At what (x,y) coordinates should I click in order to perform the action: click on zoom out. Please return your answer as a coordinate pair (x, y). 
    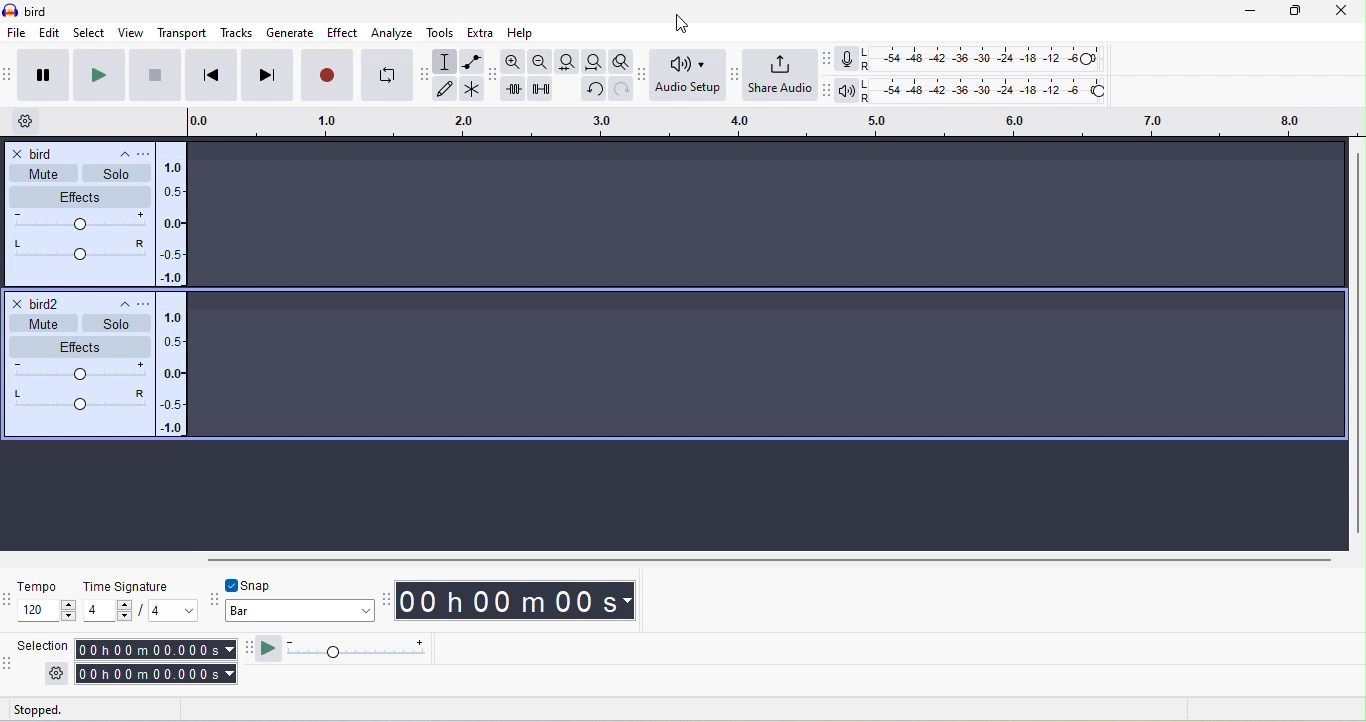
    Looking at the image, I should click on (539, 60).